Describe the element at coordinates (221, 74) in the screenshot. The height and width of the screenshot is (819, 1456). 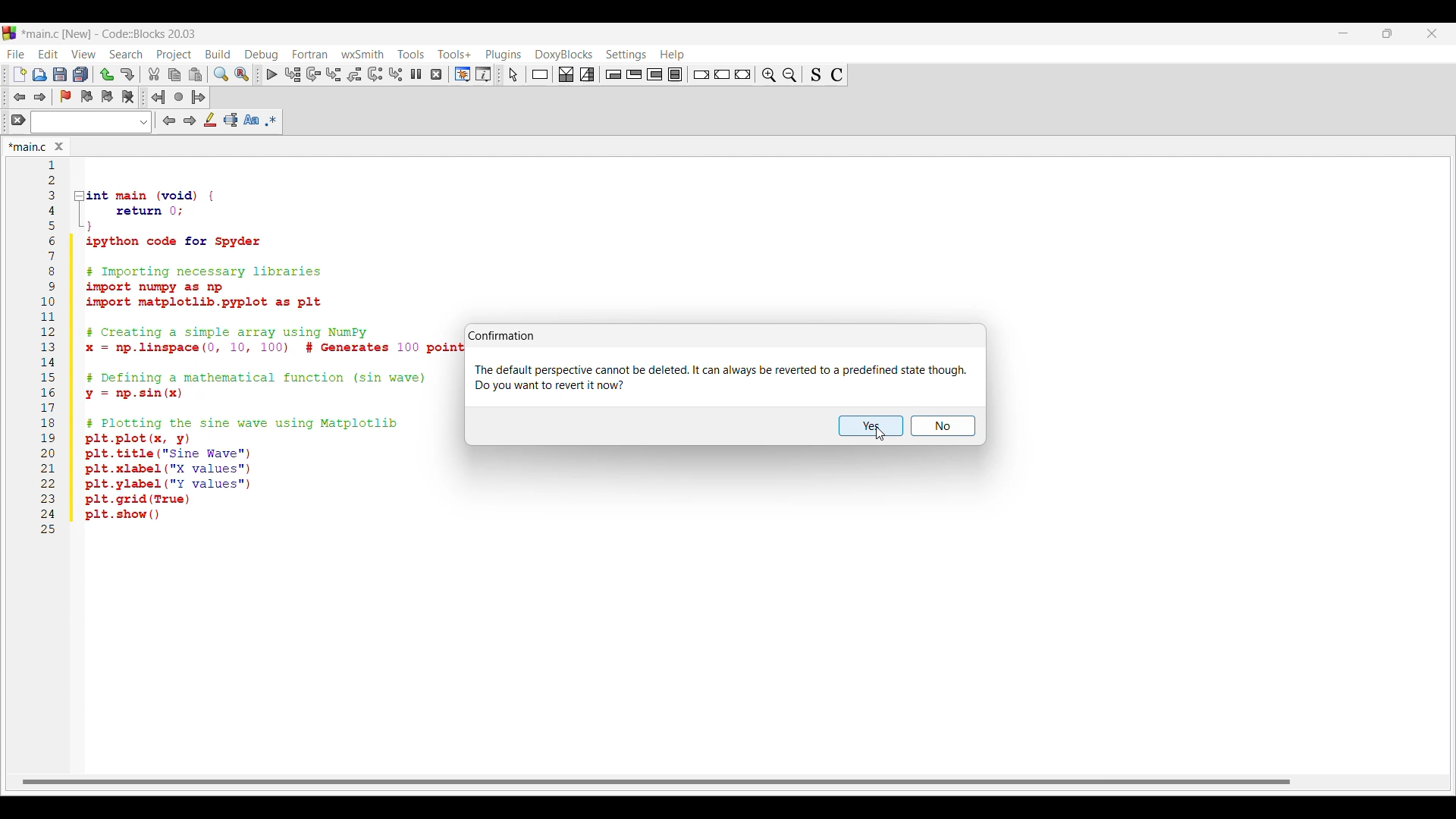
I see `Find` at that location.